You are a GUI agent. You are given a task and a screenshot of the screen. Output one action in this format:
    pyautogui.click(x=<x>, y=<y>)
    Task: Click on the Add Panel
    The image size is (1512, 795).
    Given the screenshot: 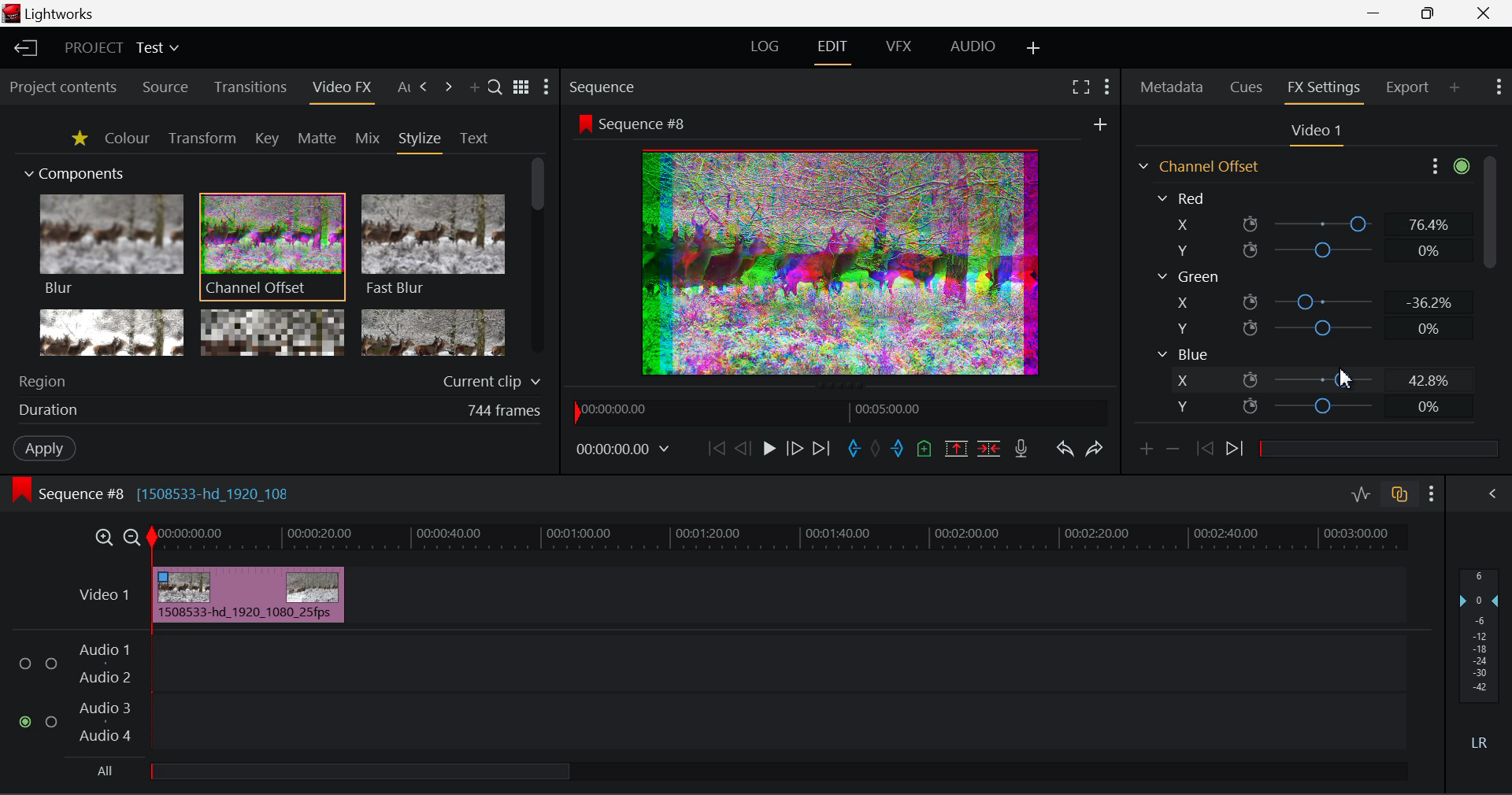 What is the action you would take?
    pyautogui.click(x=474, y=89)
    